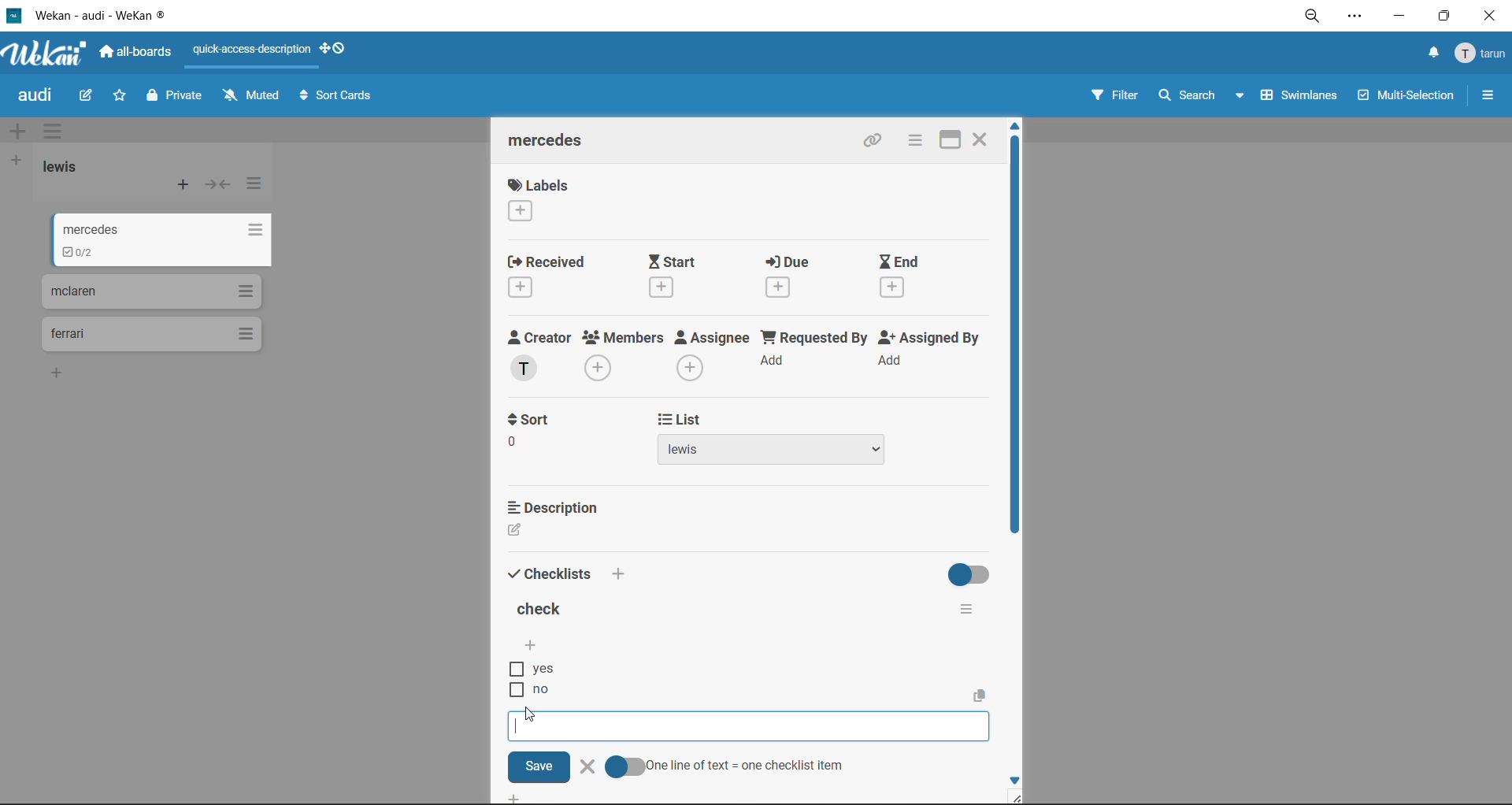 This screenshot has width=1512, height=805. I want to click on one line of text = one checklist item, so click(747, 768).